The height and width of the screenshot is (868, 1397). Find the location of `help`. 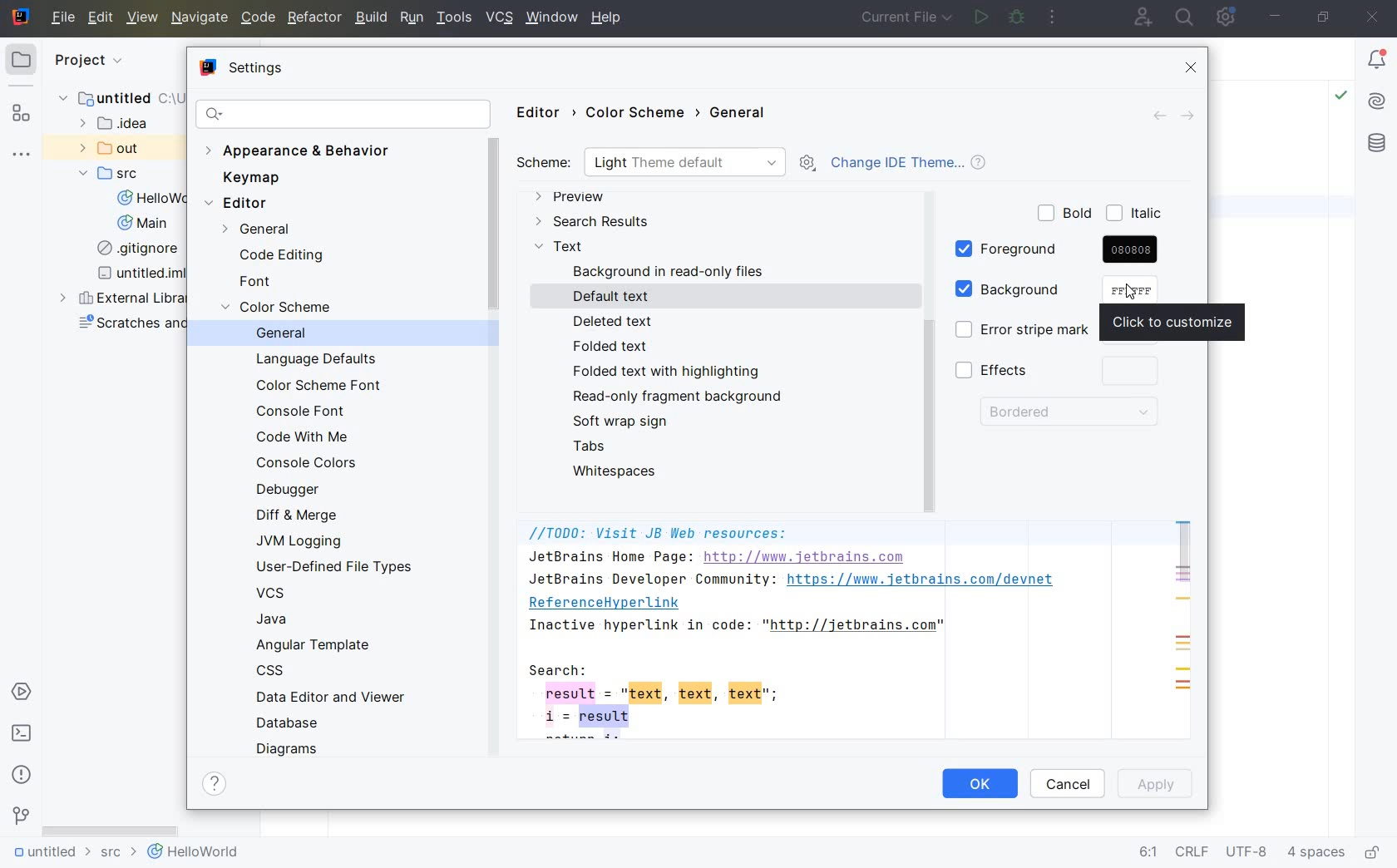

help is located at coordinates (610, 19).